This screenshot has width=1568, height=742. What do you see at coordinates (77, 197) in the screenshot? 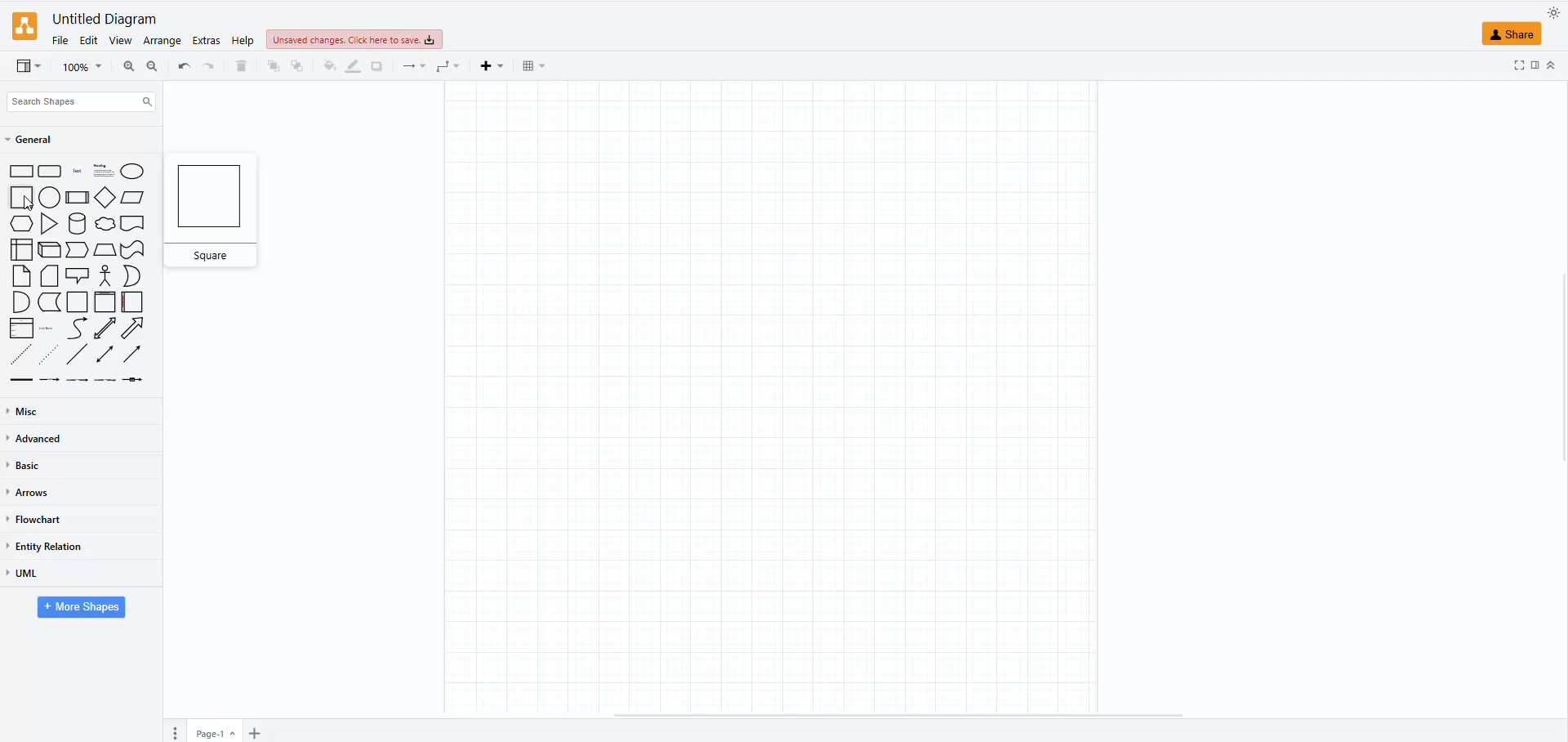
I see `process` at bounding box center [77, 197].